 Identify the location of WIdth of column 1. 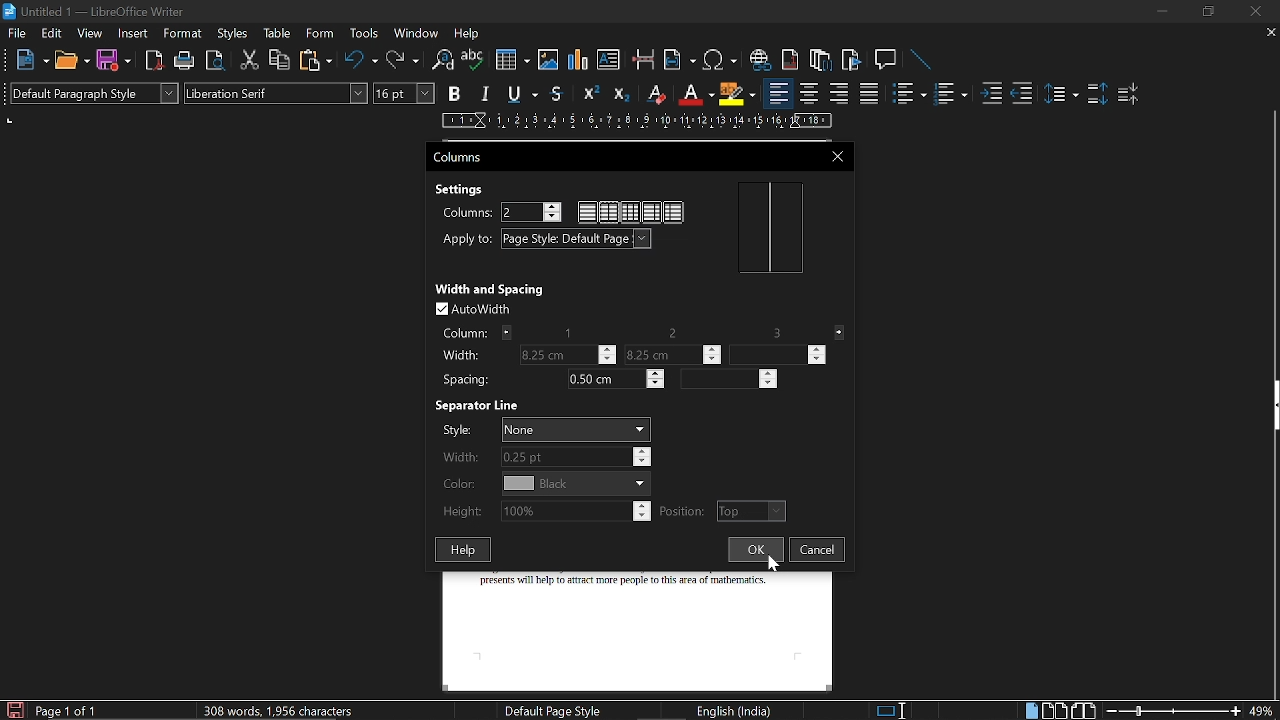
(572, 354).